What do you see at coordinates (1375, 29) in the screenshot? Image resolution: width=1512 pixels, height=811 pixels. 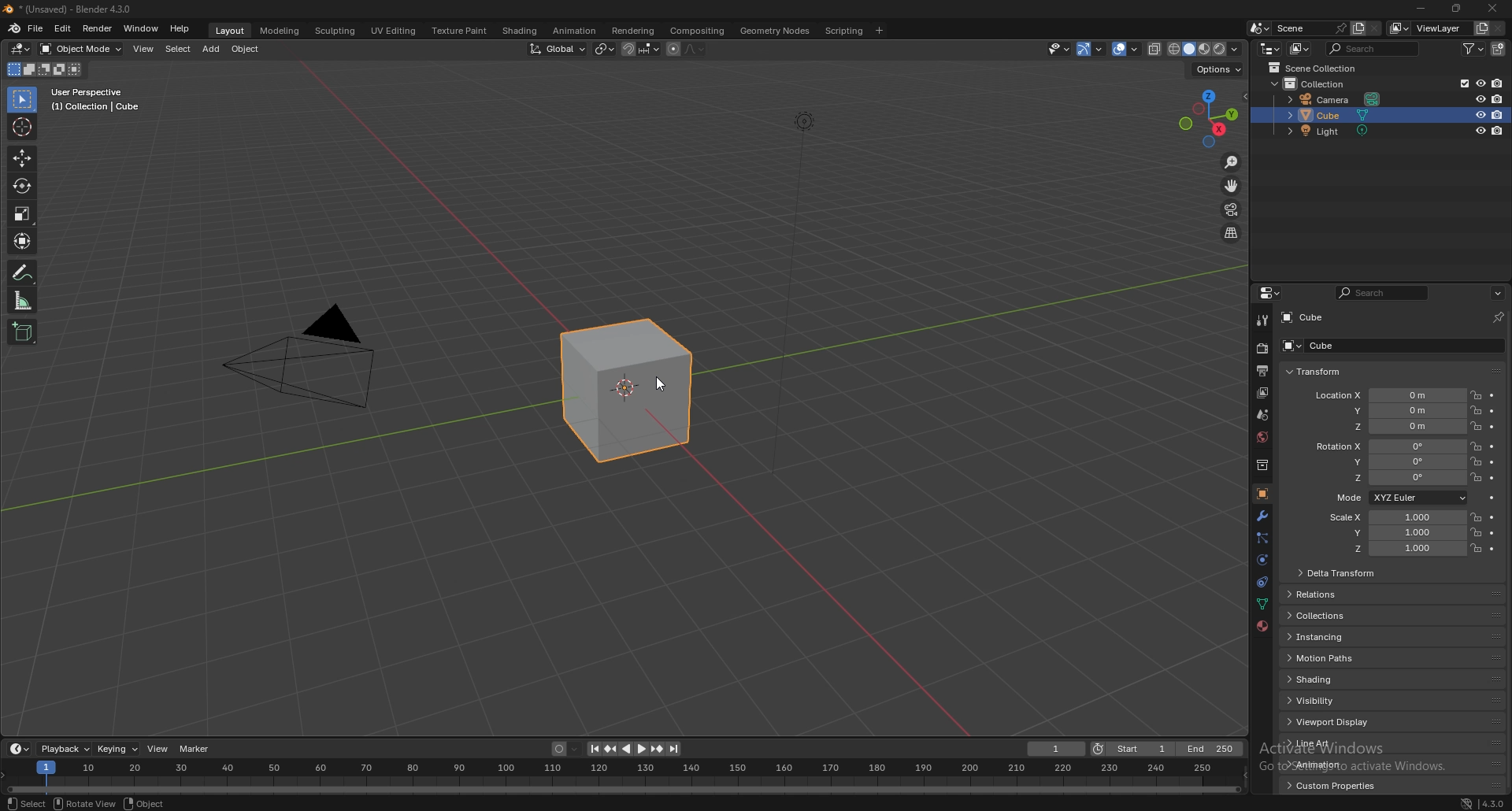 I see `delete scene` at bounding box center [1375, 29].